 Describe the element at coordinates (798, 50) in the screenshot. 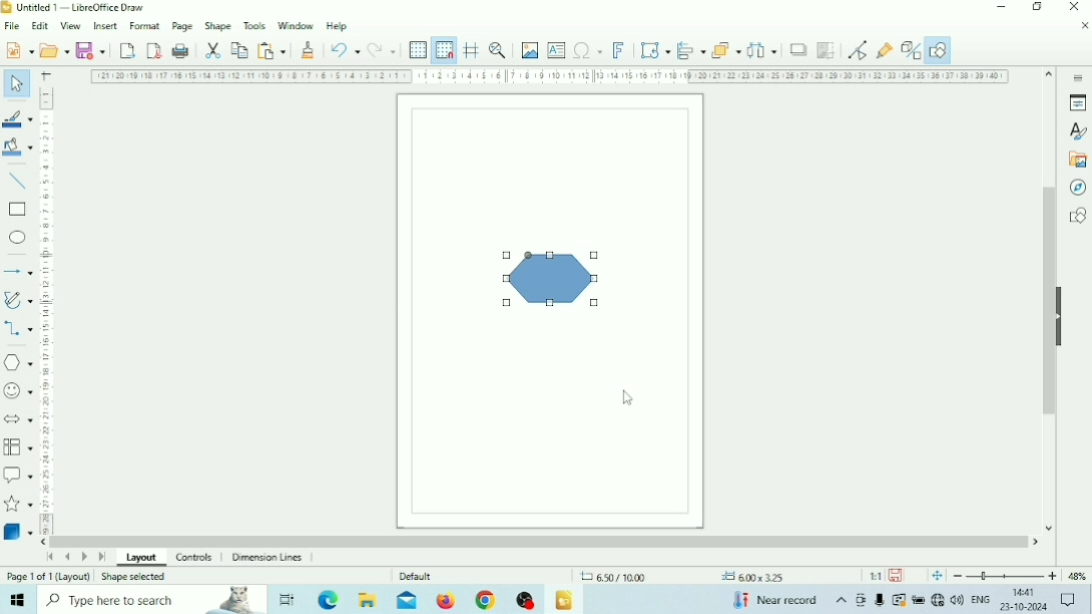

I see `Shadow` at that location.